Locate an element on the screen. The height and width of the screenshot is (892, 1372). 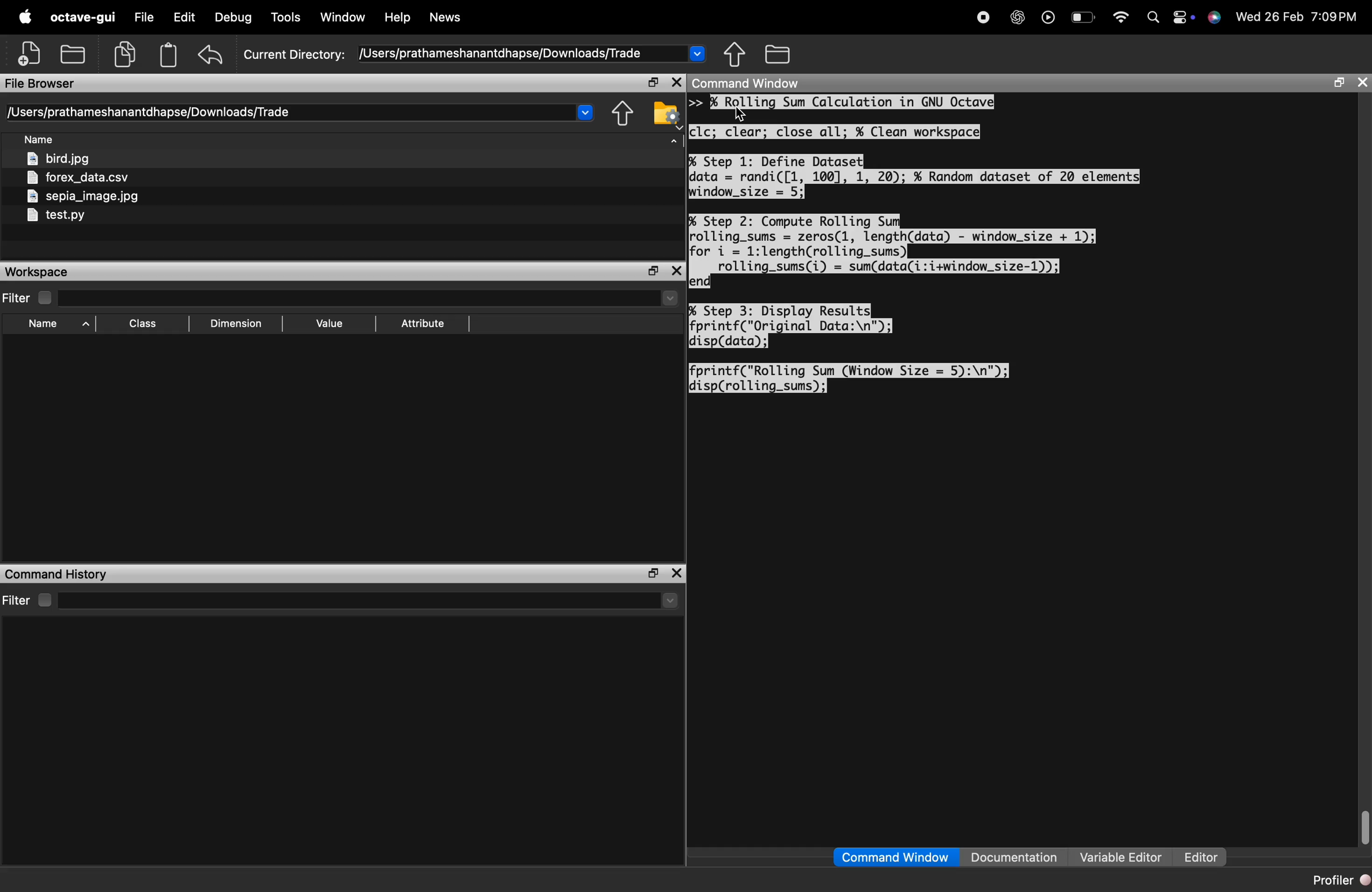
action center is located at coordinates (1186, 19).